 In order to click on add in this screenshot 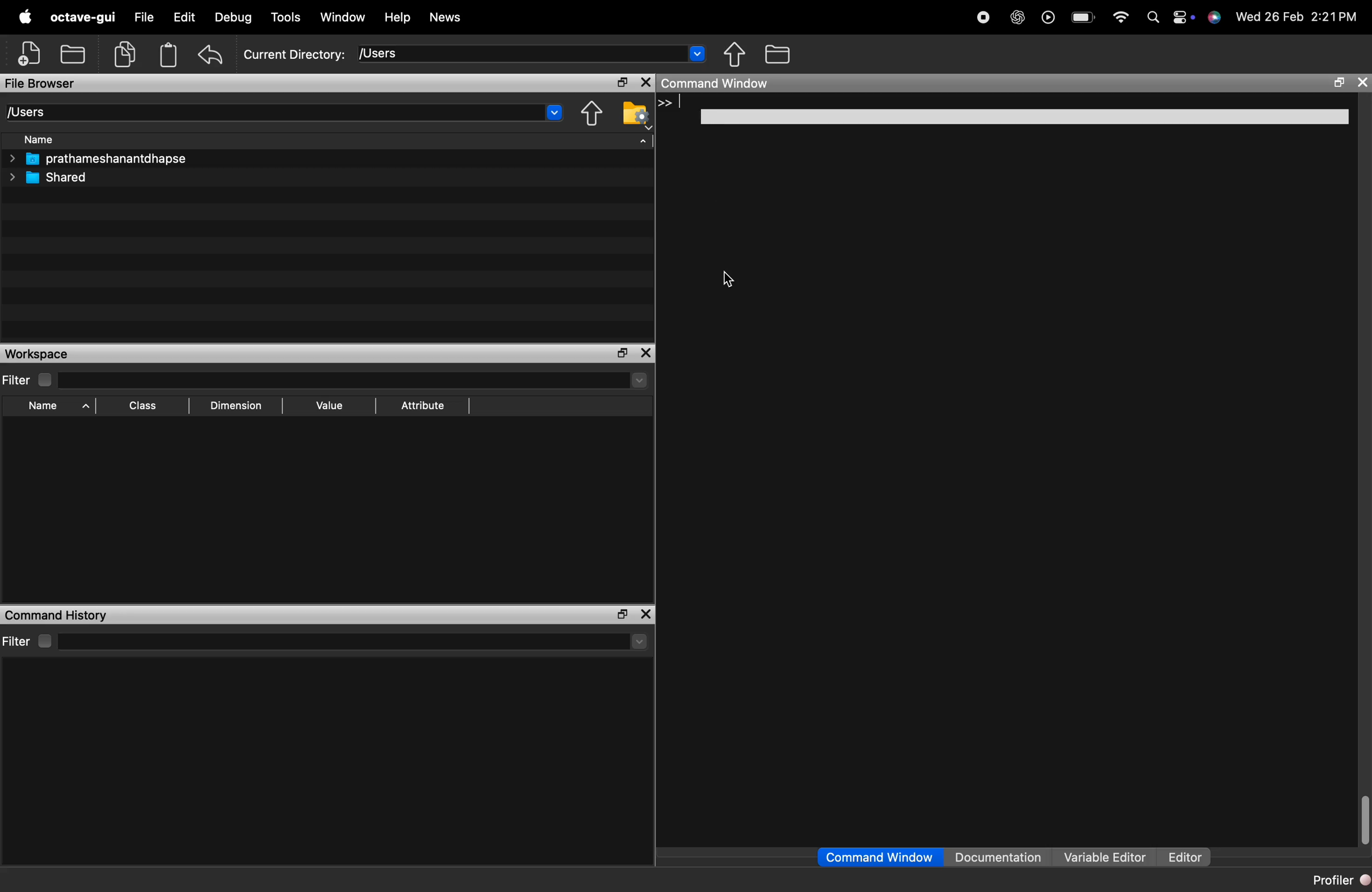, I will do `click(31, 54)`.